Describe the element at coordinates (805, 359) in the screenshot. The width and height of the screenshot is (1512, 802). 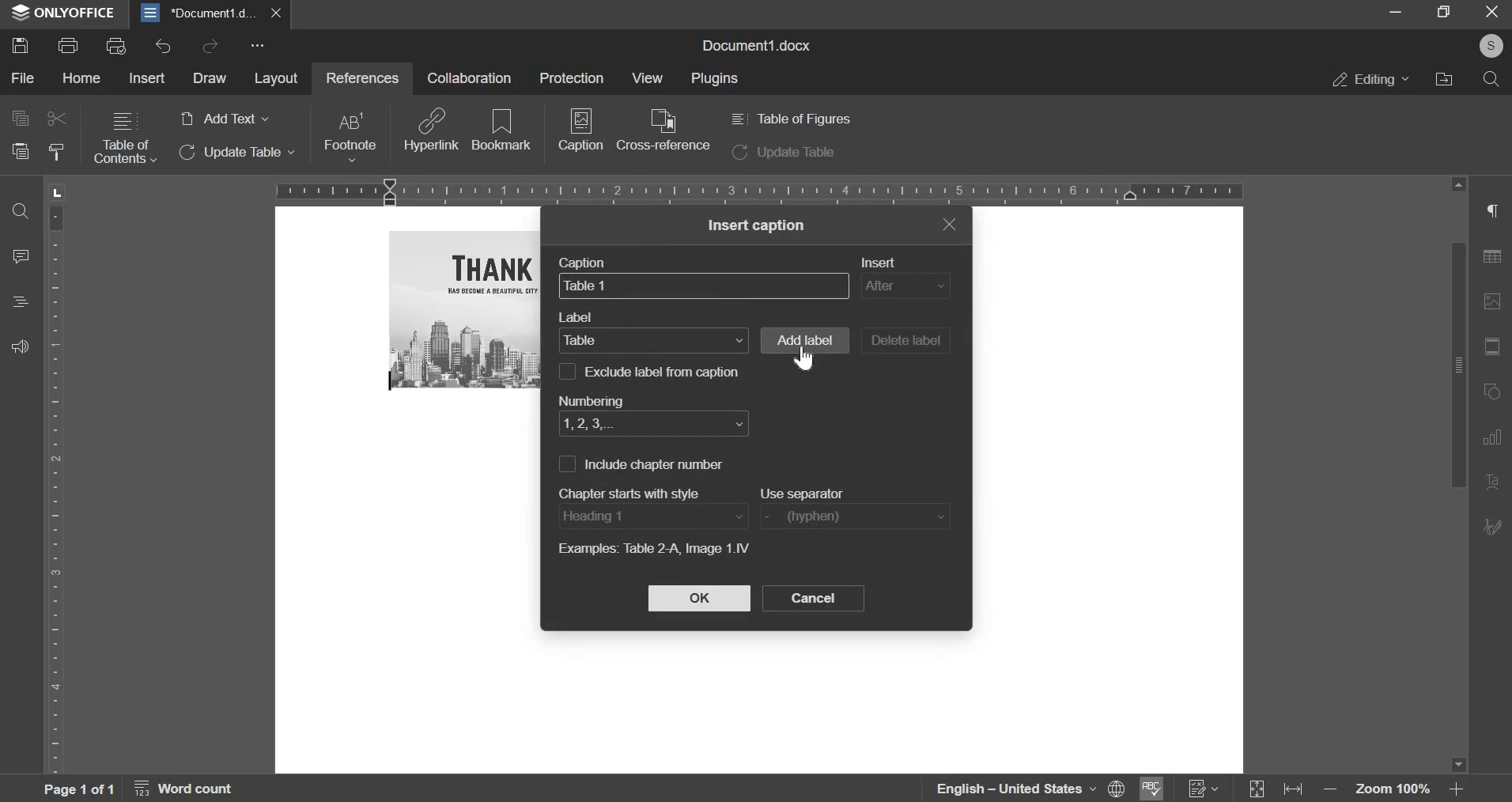
I see `mouse pointer` at that location.